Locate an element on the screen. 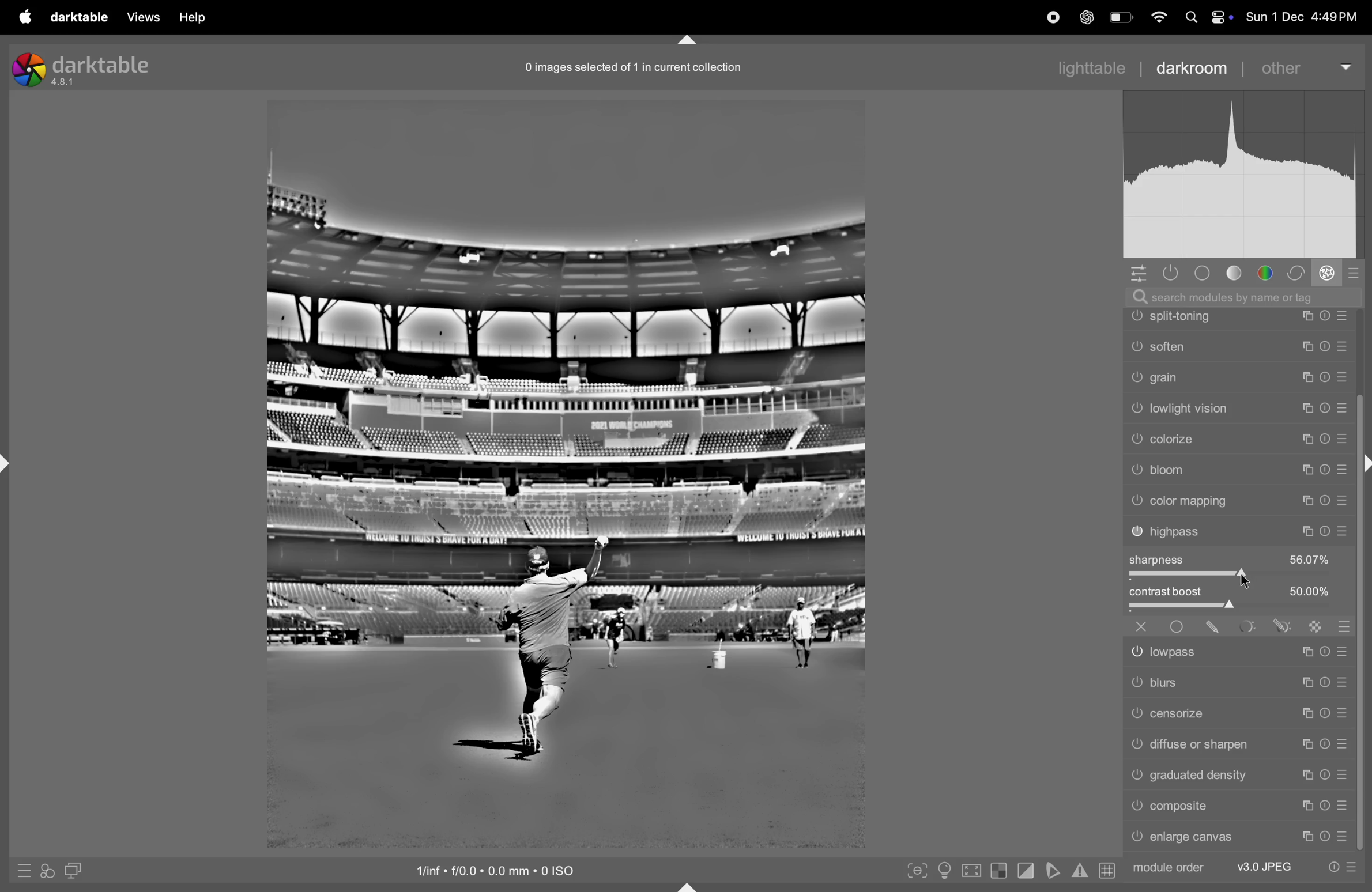  darkroom is located at coordinates (1189, 66).